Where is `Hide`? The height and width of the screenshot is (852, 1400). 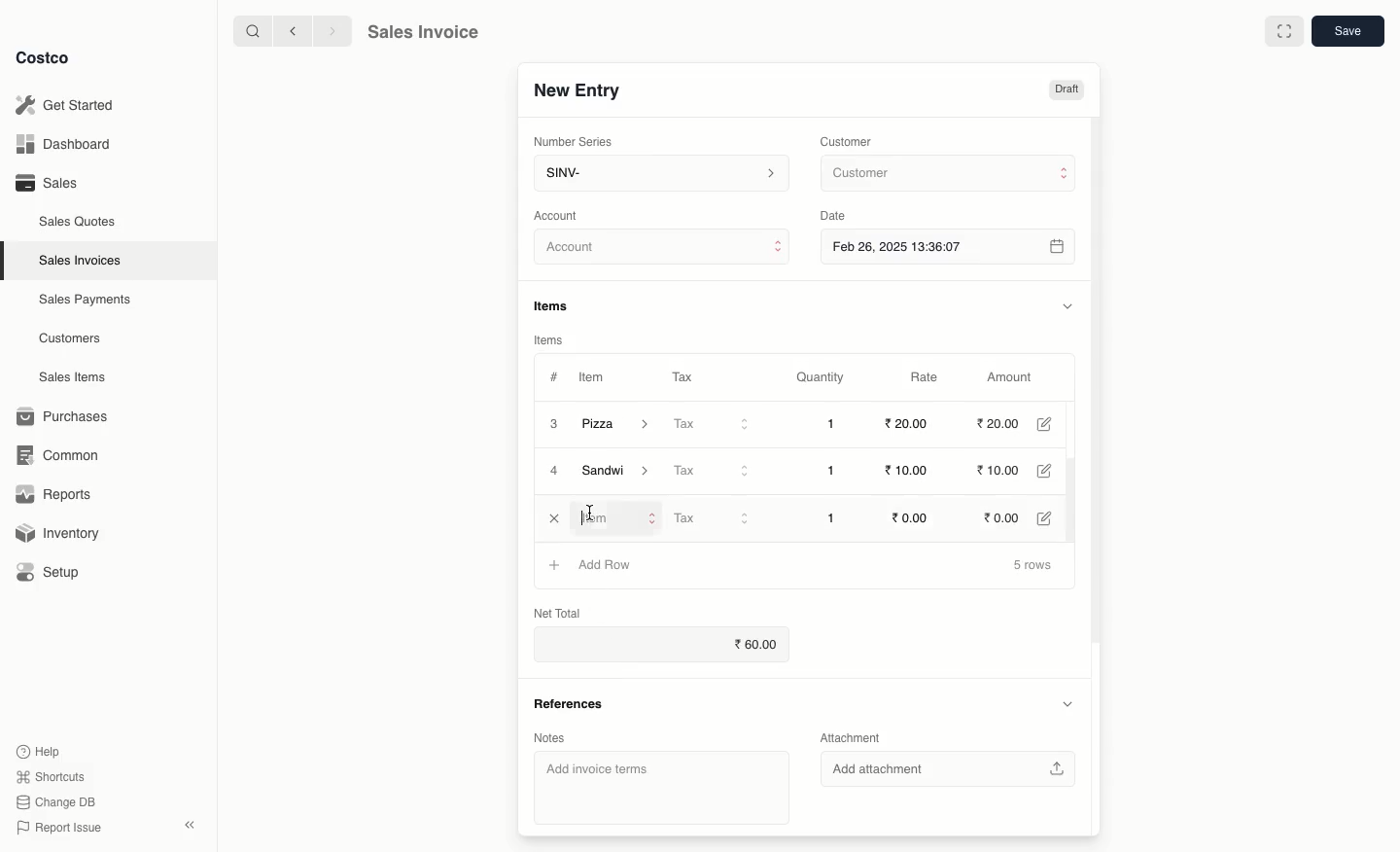
Hide is located at coordinates (1067, 305).